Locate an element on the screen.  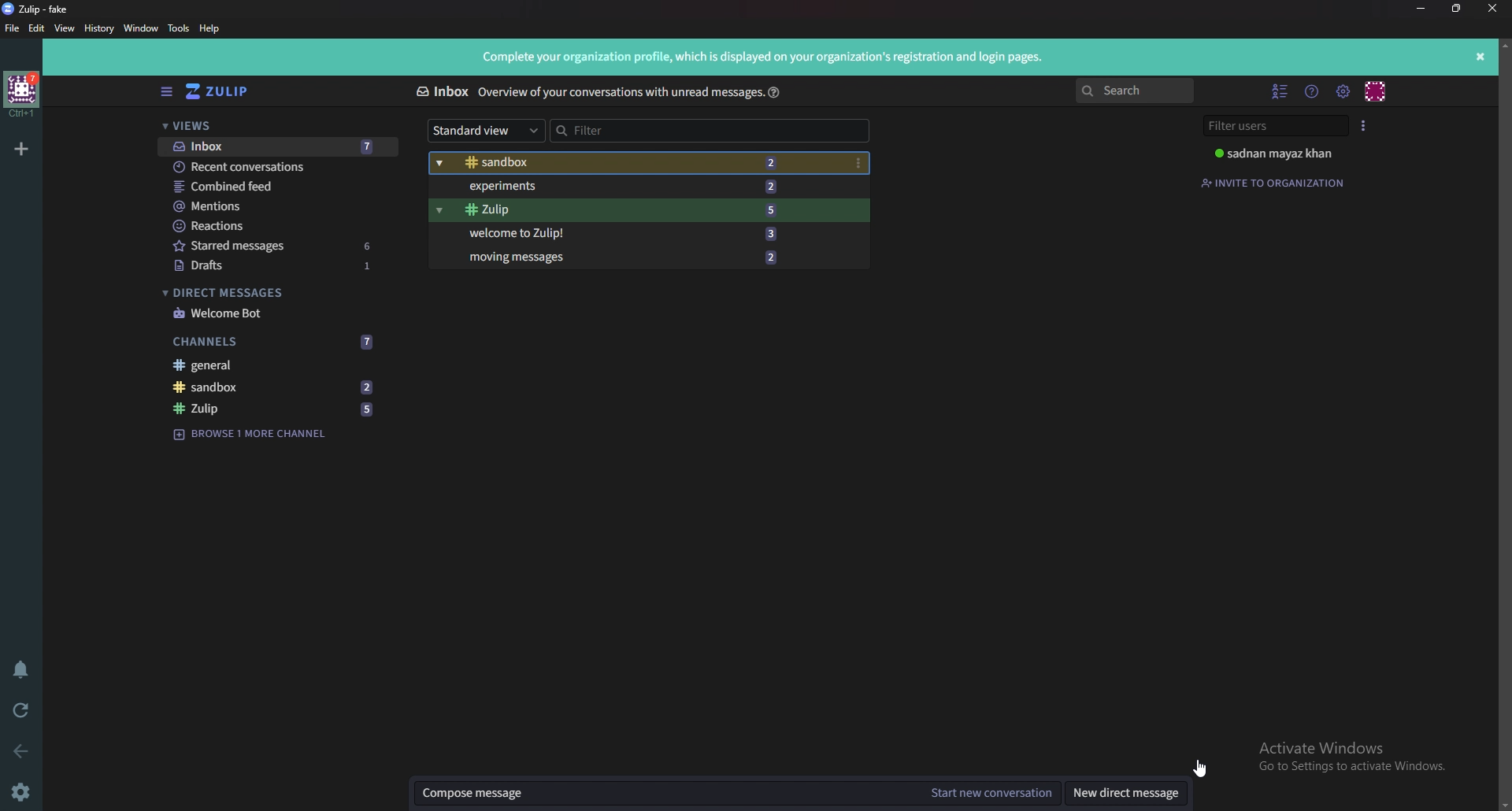
Home view is located at coordinates (228, 88).